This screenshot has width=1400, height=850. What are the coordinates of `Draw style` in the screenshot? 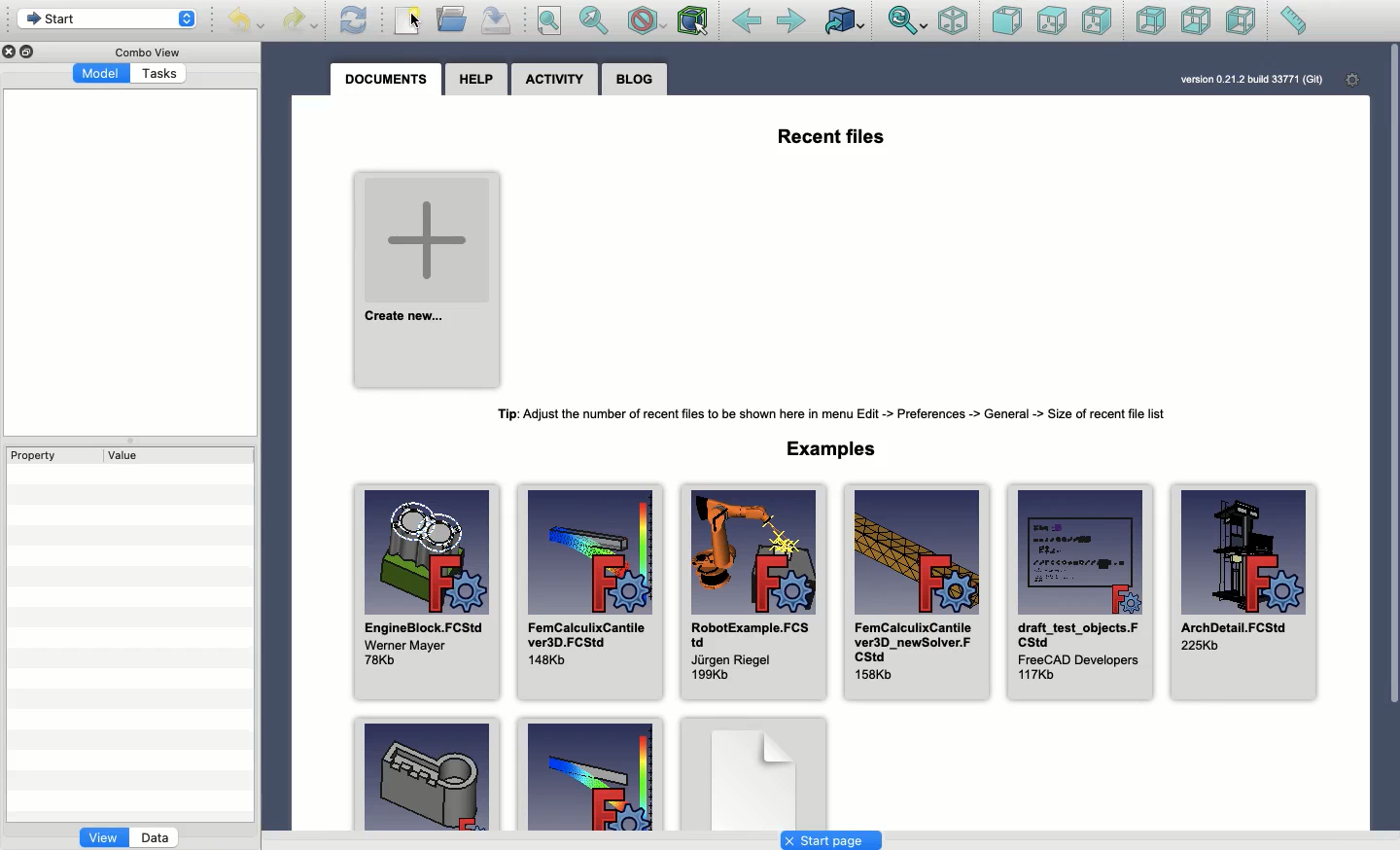 It's located at (647, 20).